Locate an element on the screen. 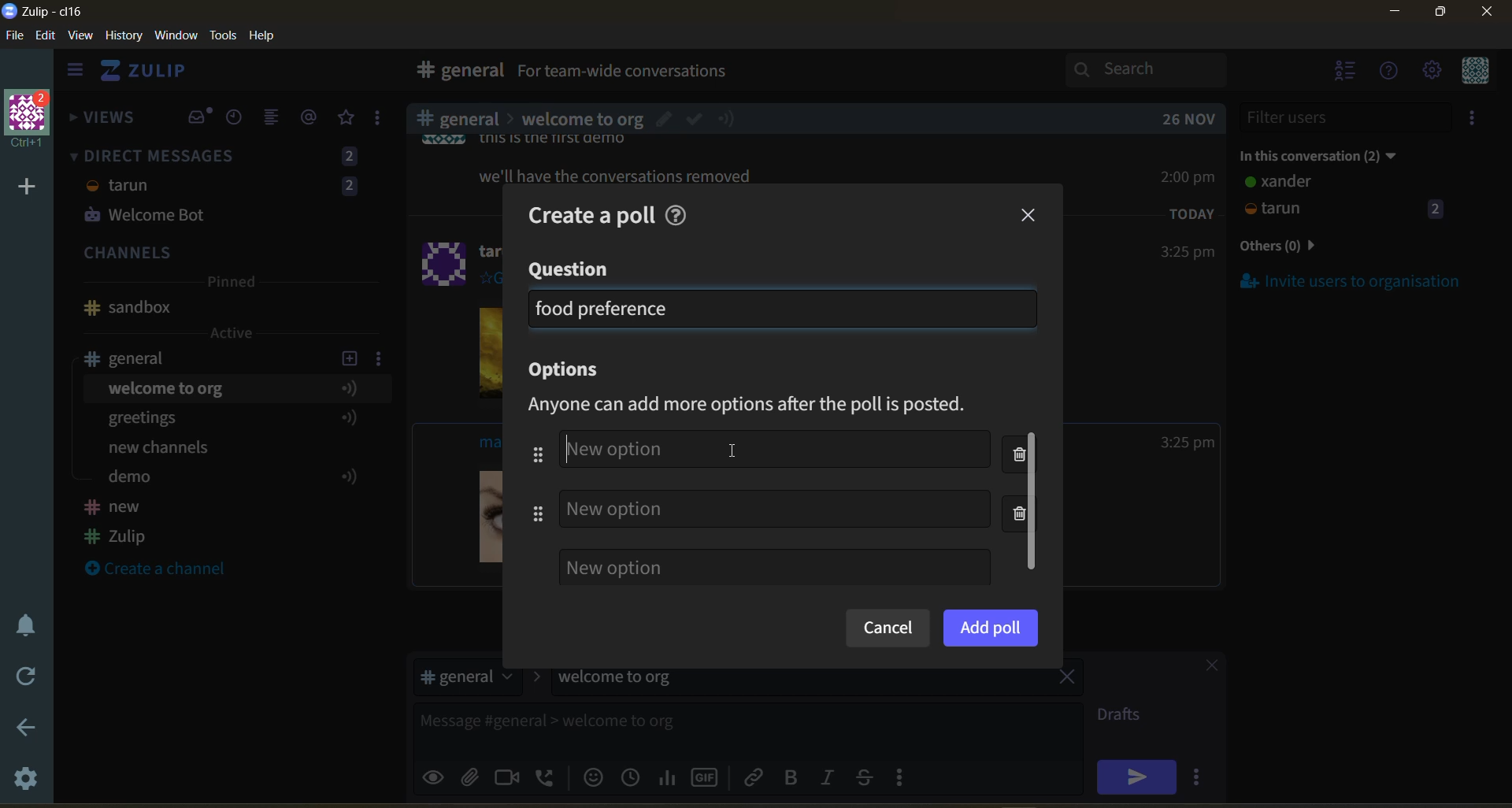 This screenshot has height=808, width=1512. help is located at coordinates (915, 74).